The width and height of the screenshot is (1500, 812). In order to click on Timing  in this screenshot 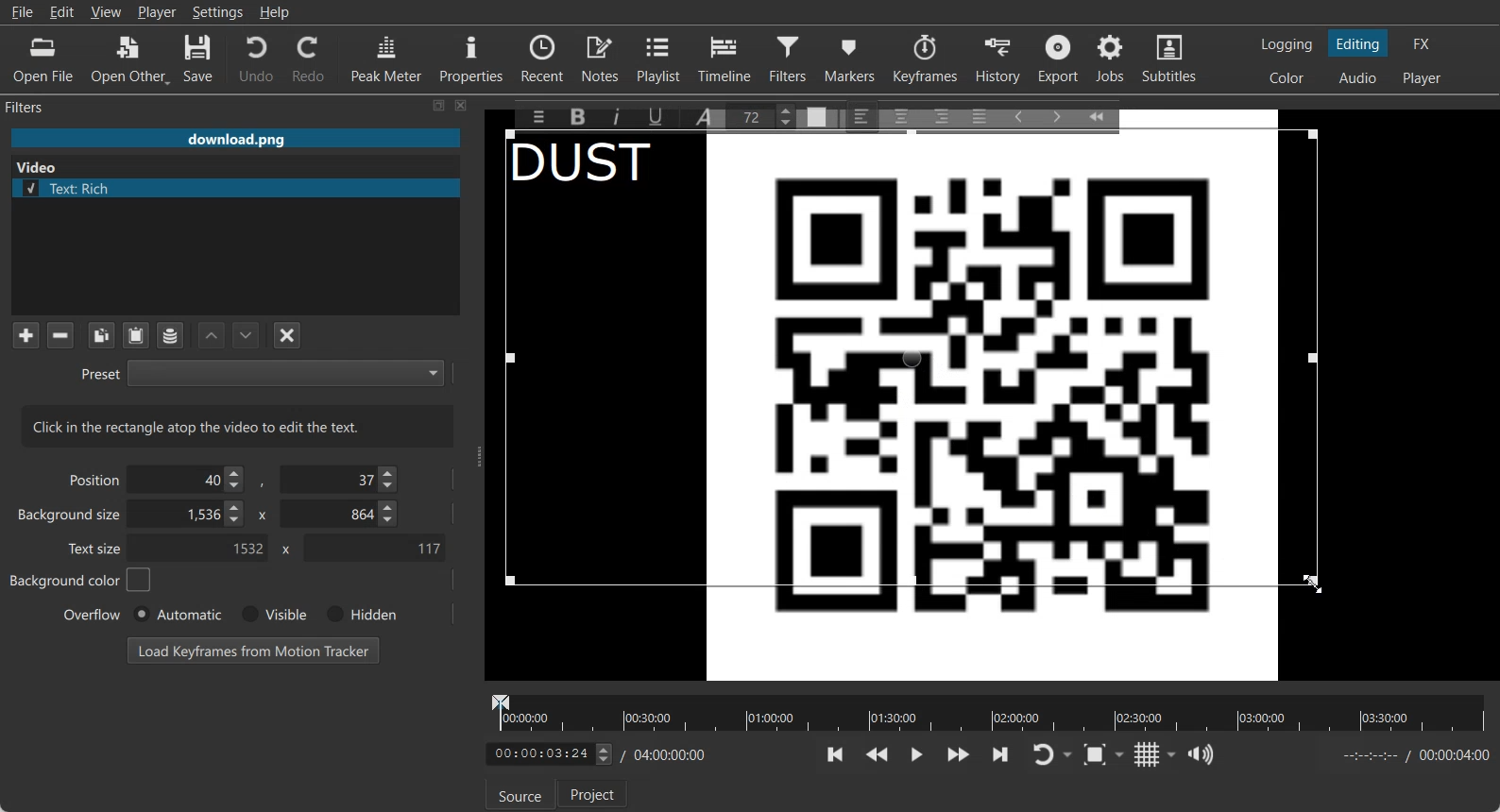, I will do `click(666, 754)`.